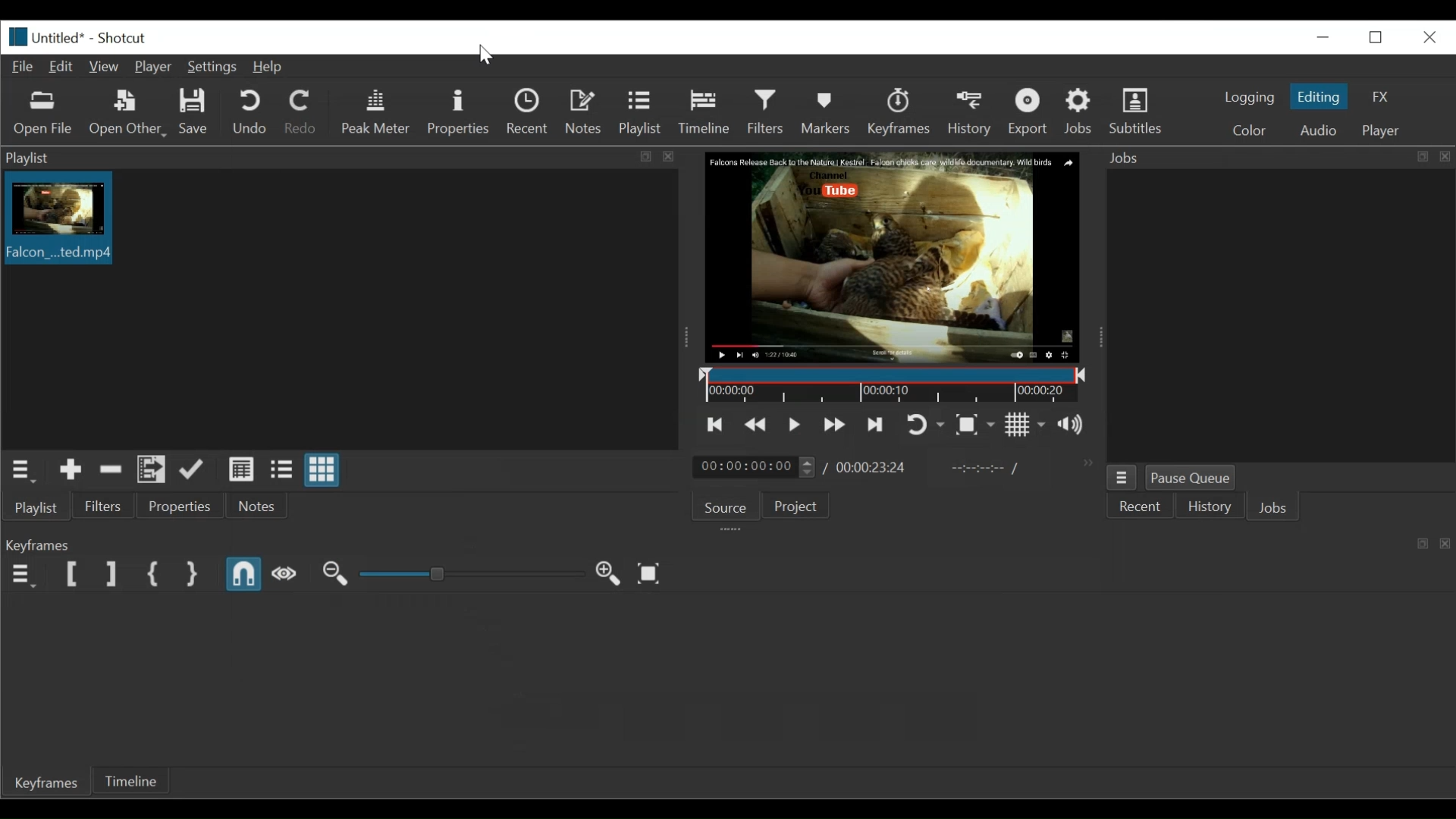 The height and width of the screenshot is (819, 1456). I want to click on Set First Simple keyframe, so click(156, 576).